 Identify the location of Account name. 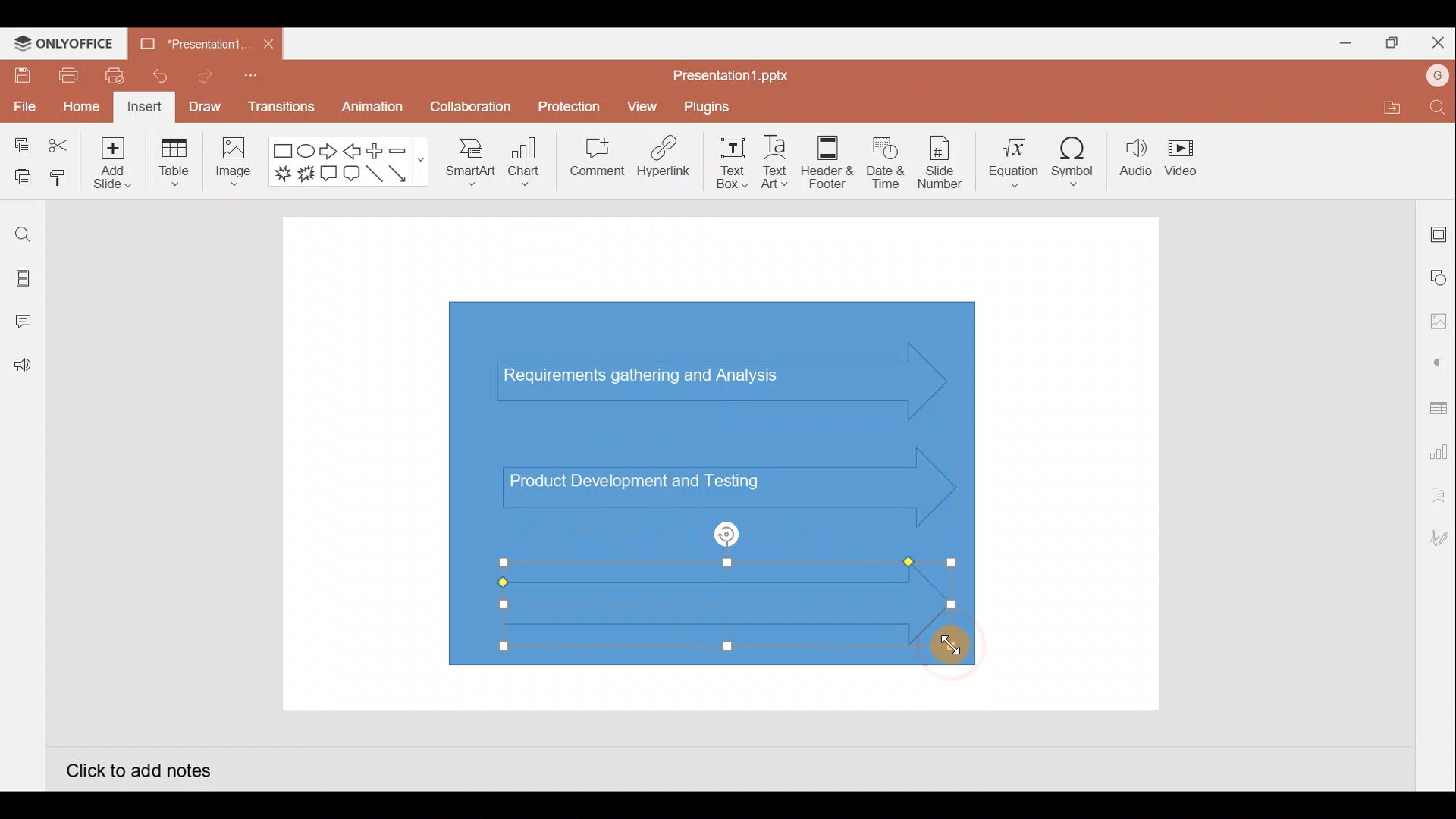
(1438, 76).